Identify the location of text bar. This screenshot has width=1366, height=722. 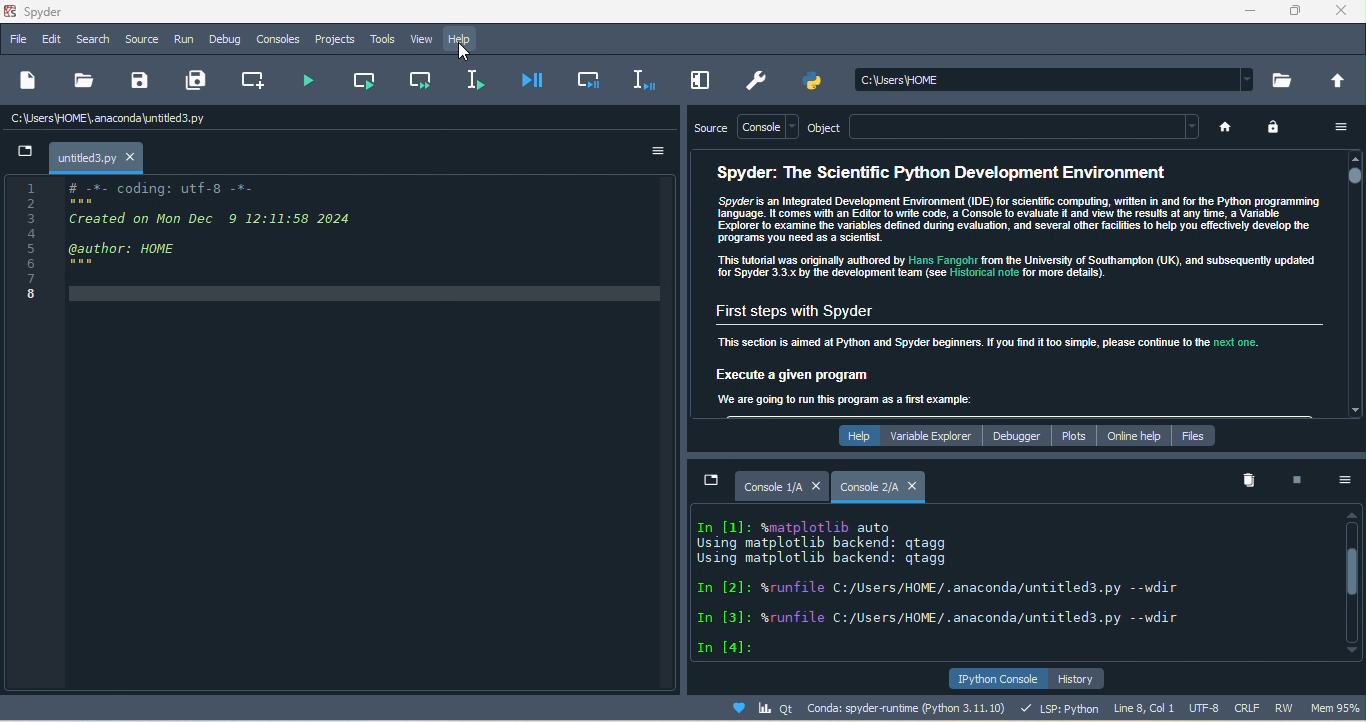
(1031, 128).